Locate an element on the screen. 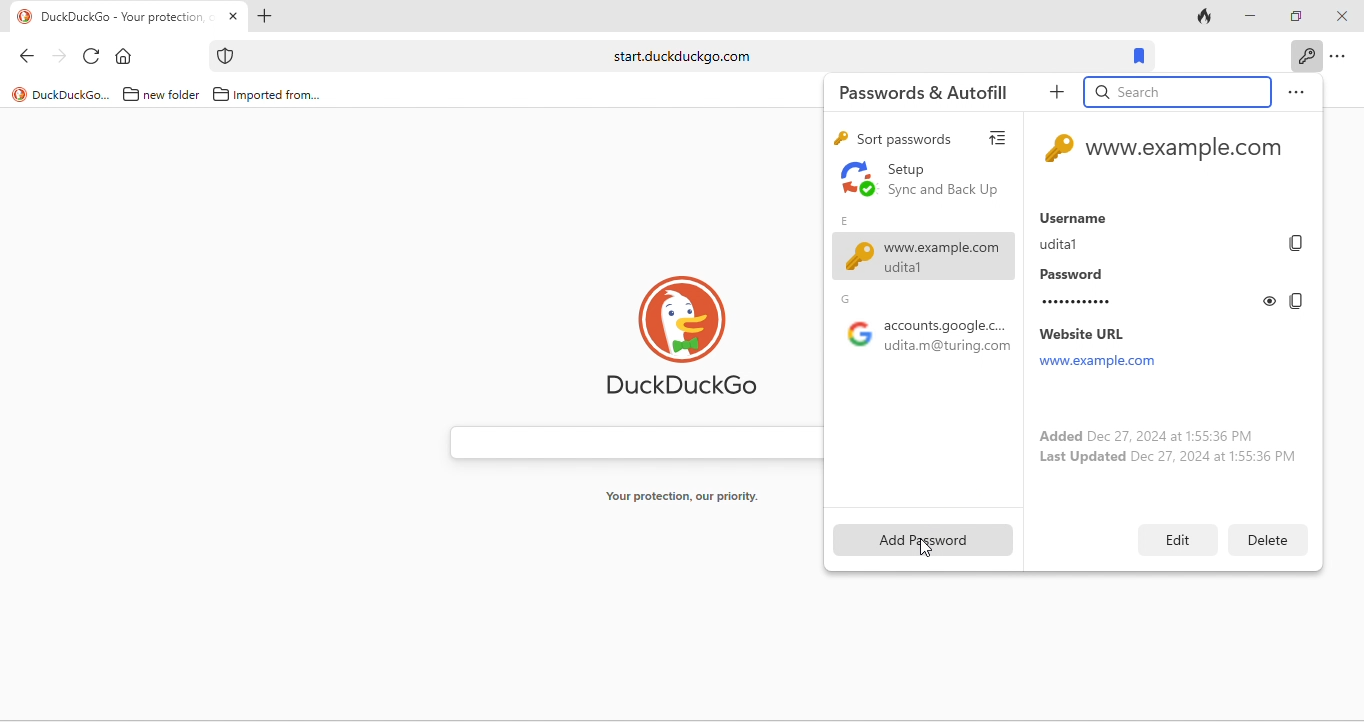 The width and height of the screenshot is (1364, 722). logo is located at coordinates (19, 94).